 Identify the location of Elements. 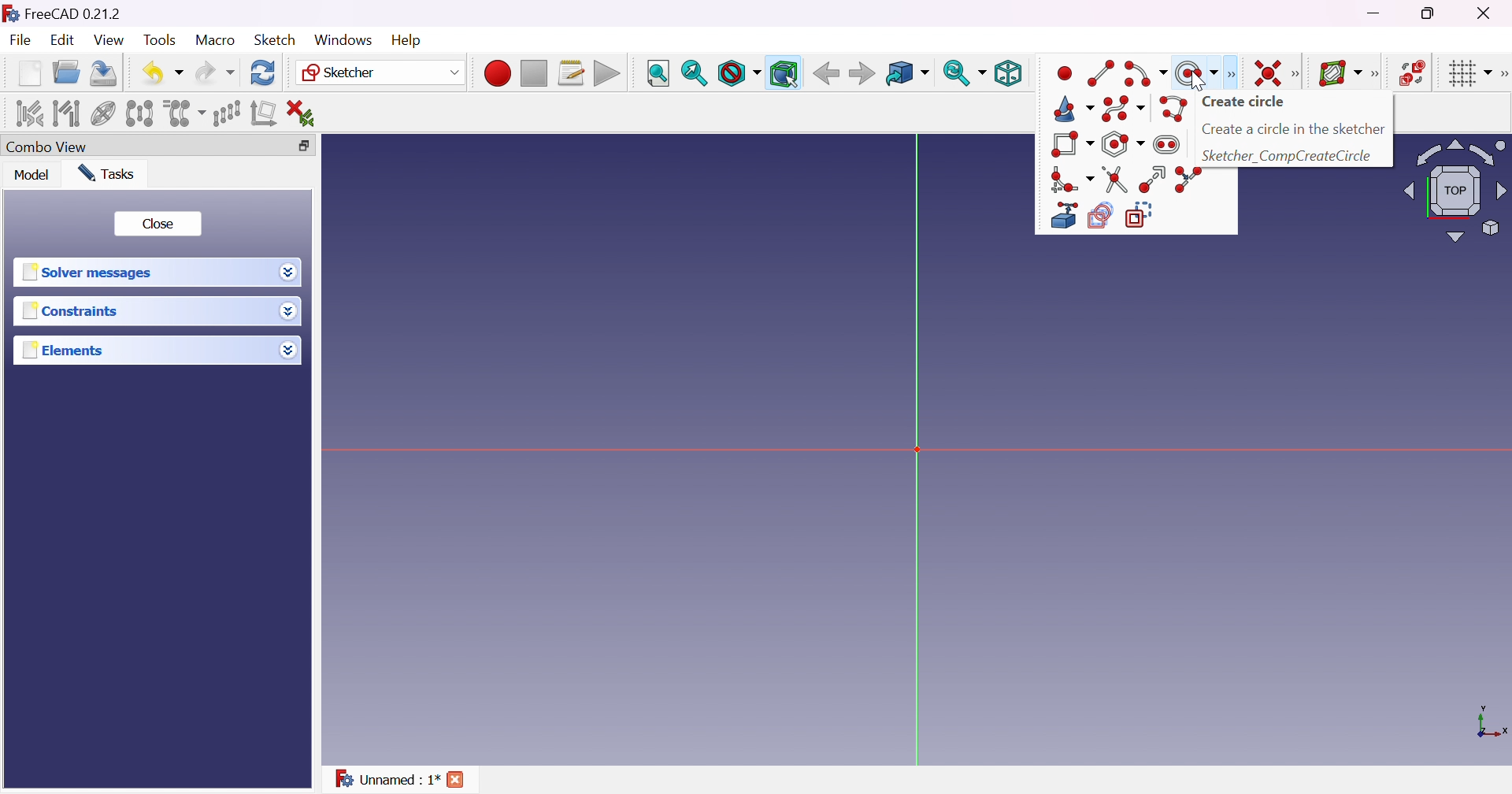
(65, 350).